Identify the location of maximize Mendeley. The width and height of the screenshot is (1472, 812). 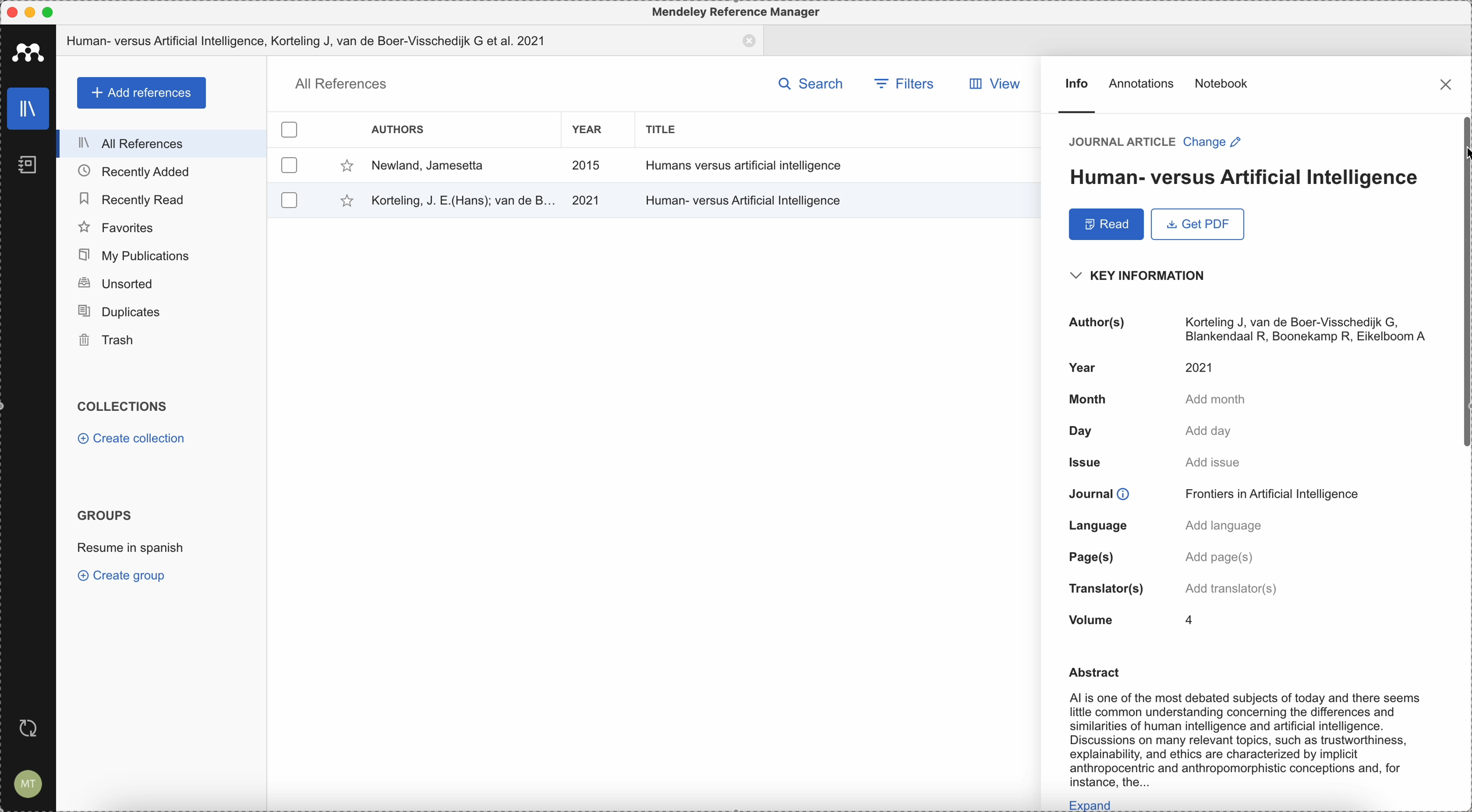
(61, 12).